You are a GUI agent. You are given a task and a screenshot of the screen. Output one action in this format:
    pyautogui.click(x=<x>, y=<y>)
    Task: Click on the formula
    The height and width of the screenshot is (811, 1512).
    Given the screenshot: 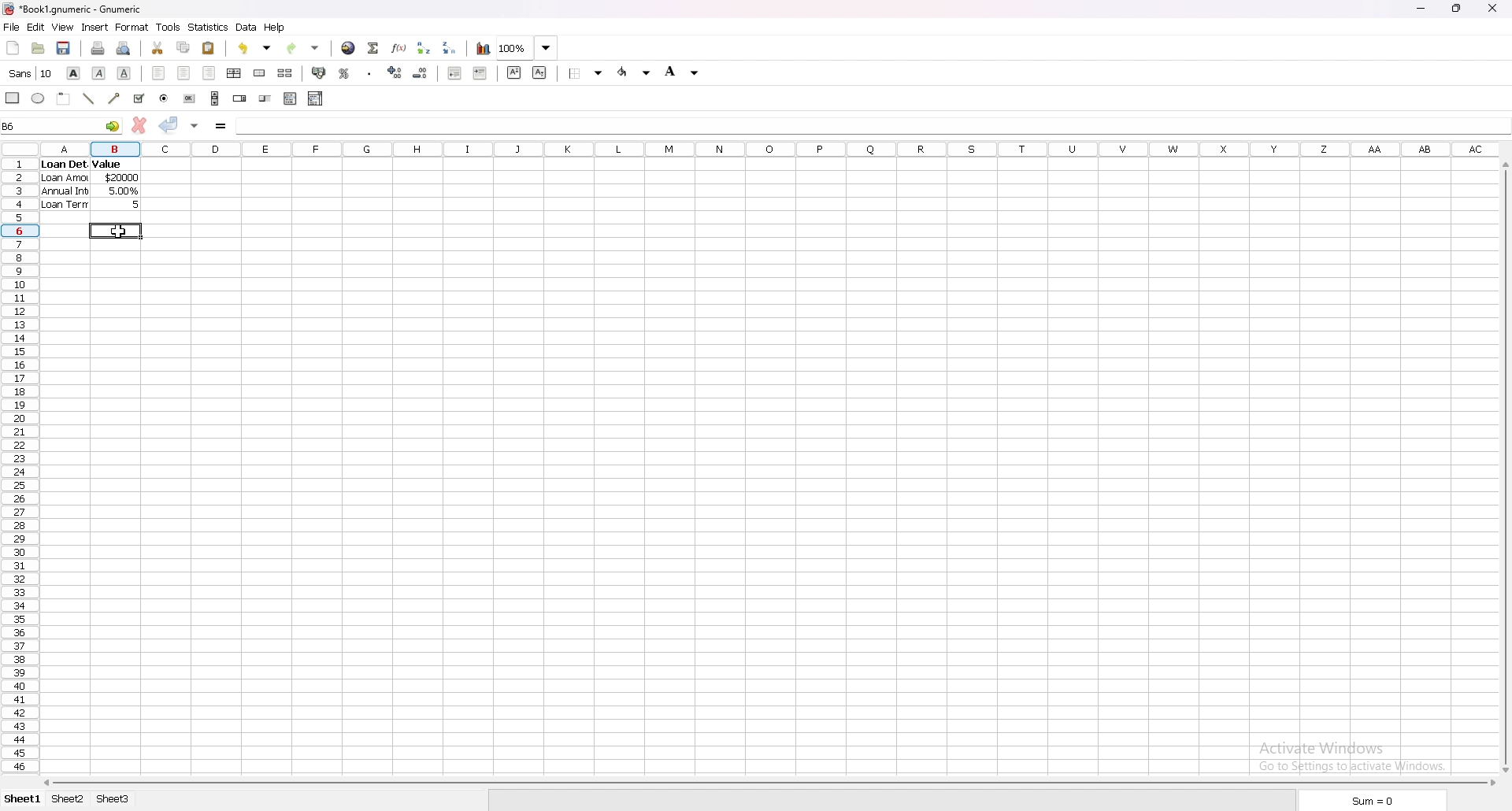 What is the action you would take?
    pyautogui.click(x=220, y=127)
    